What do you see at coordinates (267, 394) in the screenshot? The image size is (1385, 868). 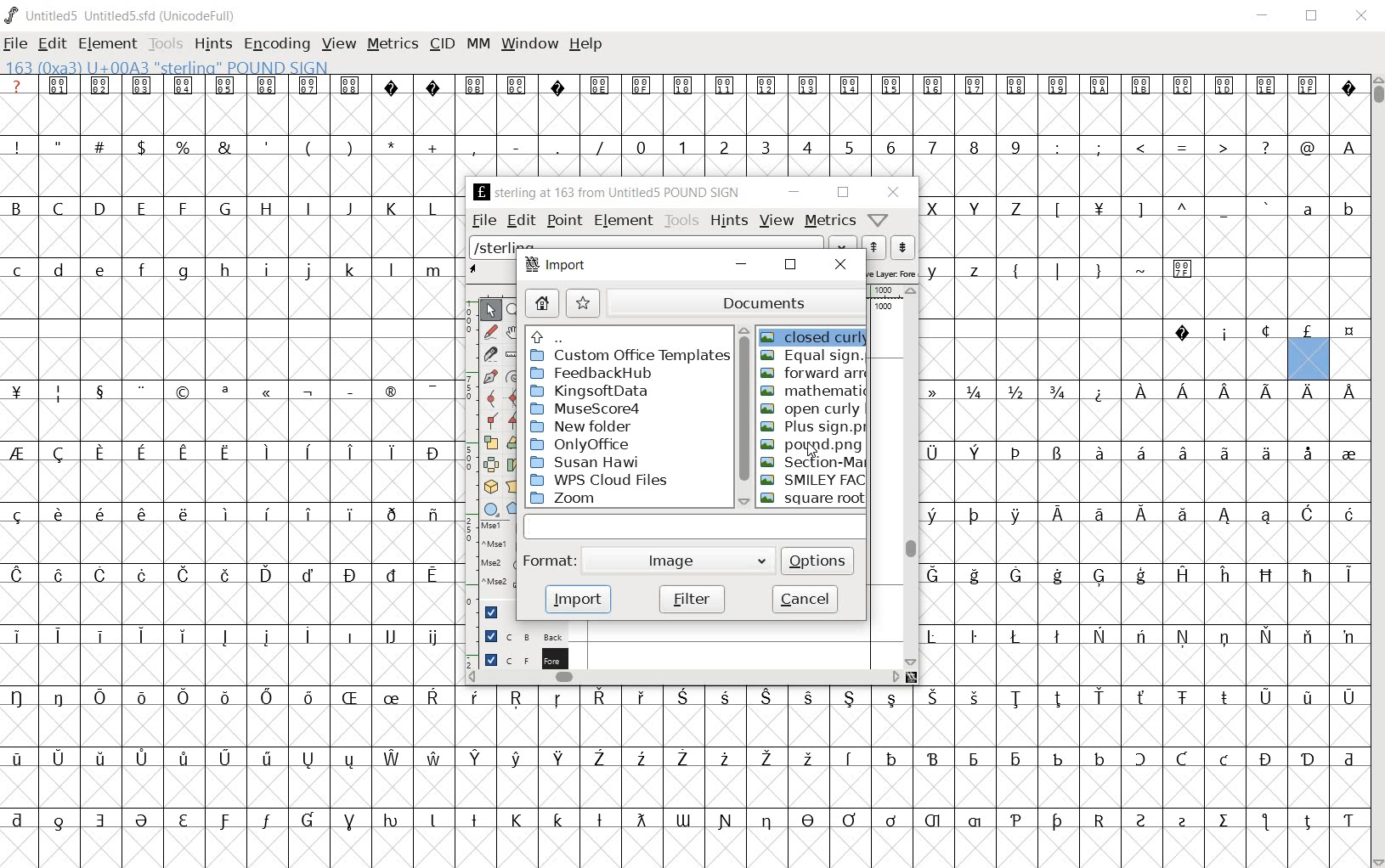 I see `Symbol` at bounding box center [267, 394].